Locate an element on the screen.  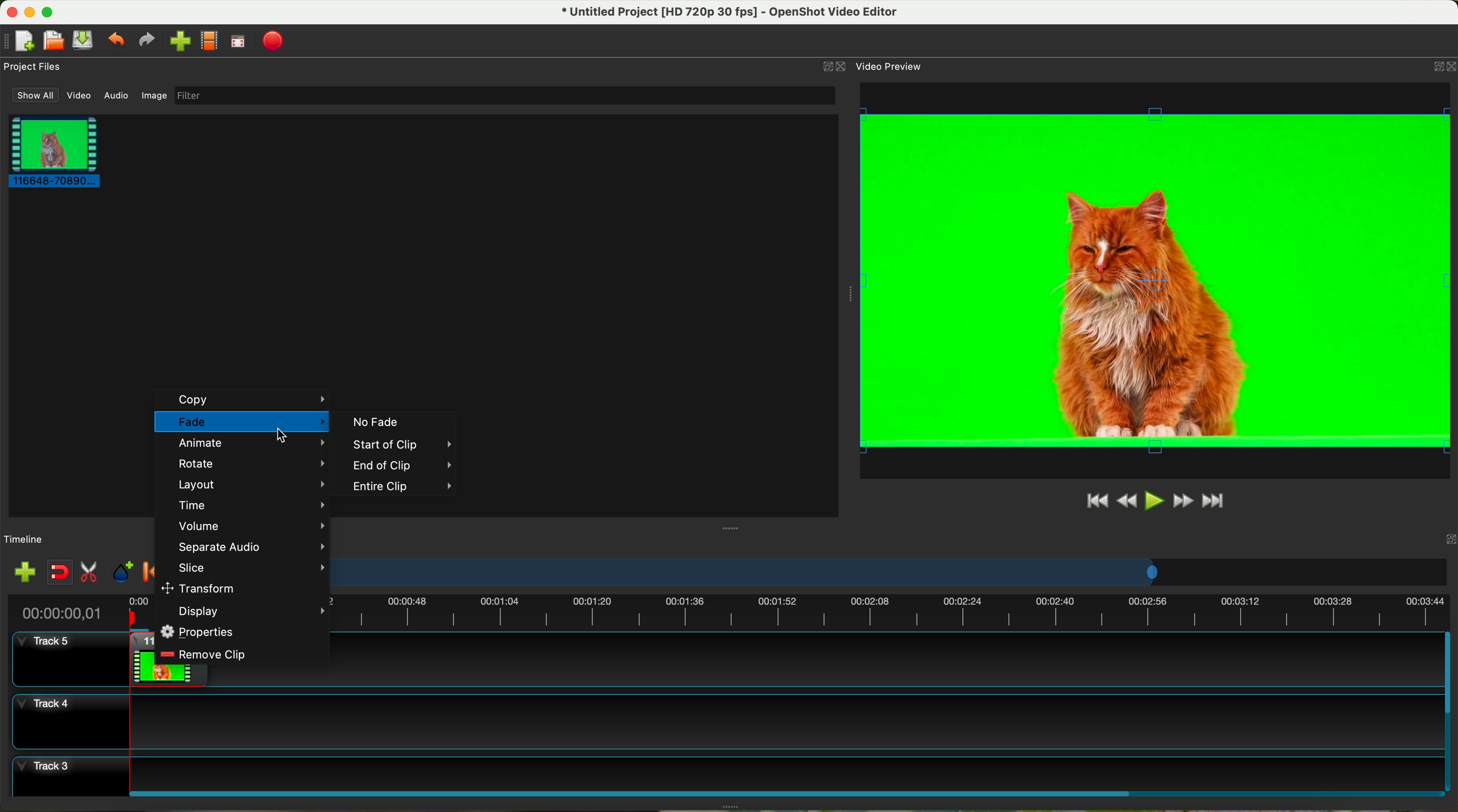
rewind is located at coordinates (1128, 501).